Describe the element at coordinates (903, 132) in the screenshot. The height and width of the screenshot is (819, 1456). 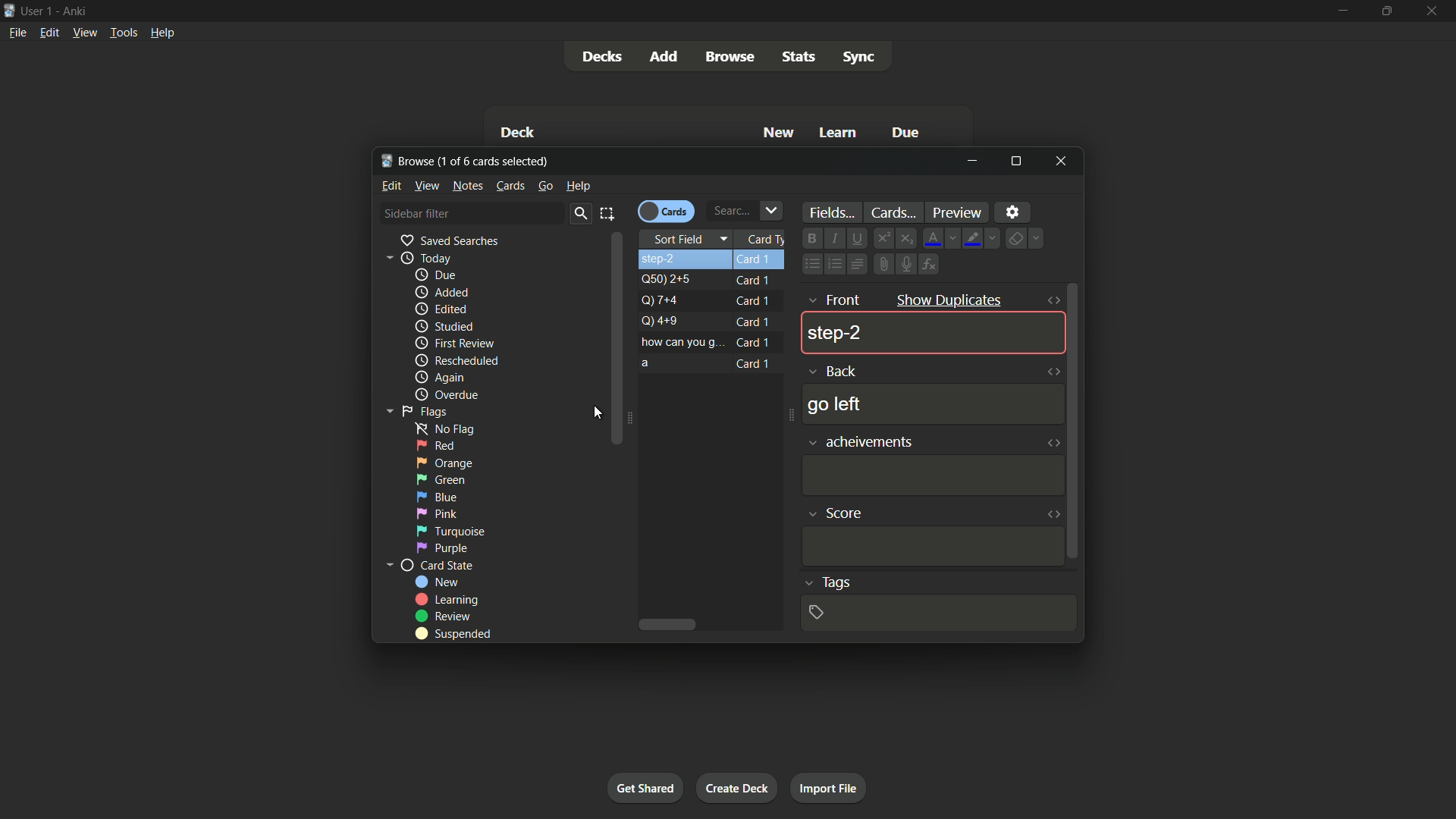
I see `Due` at that location.